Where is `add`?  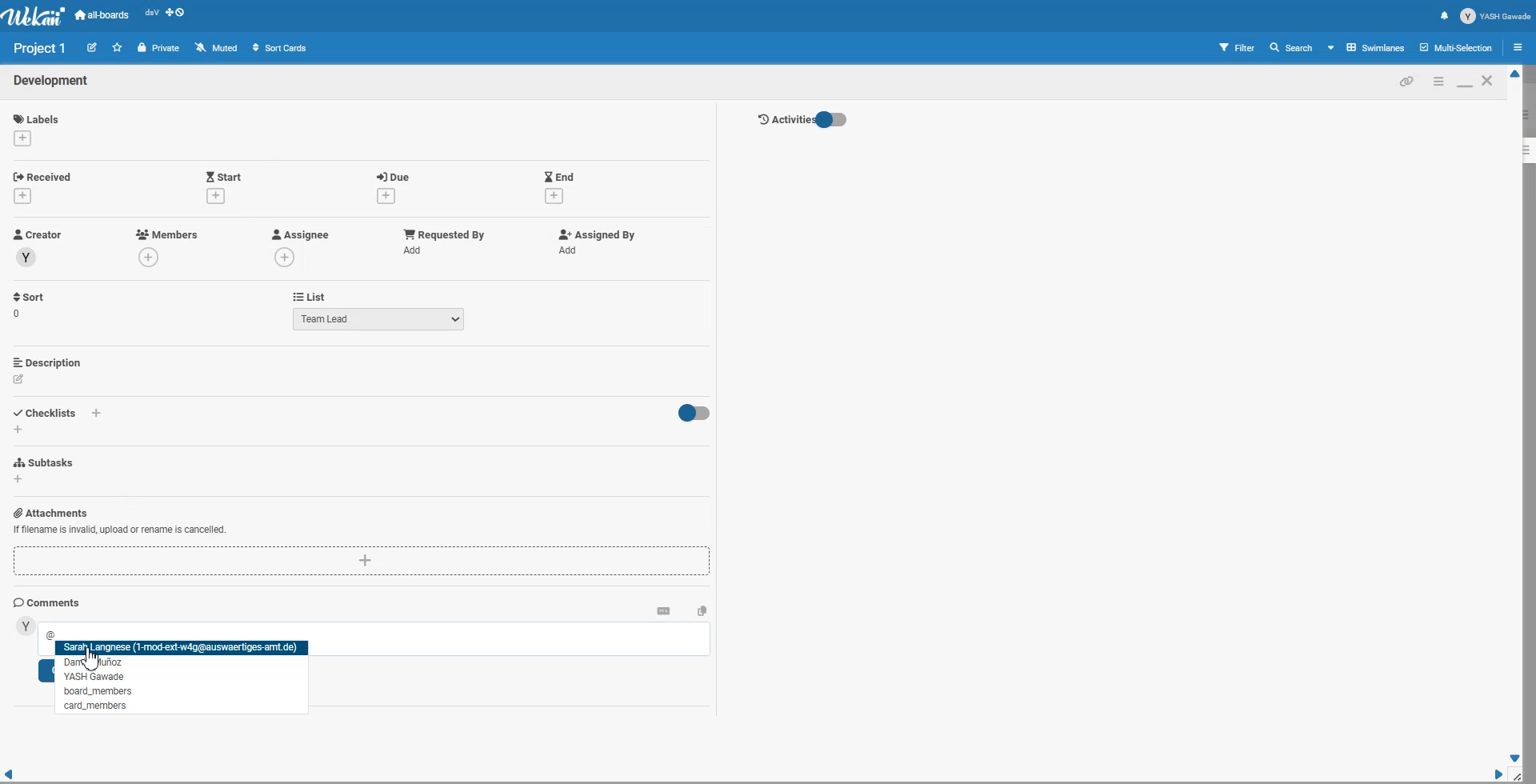 add is located at coordinates (416, 250).